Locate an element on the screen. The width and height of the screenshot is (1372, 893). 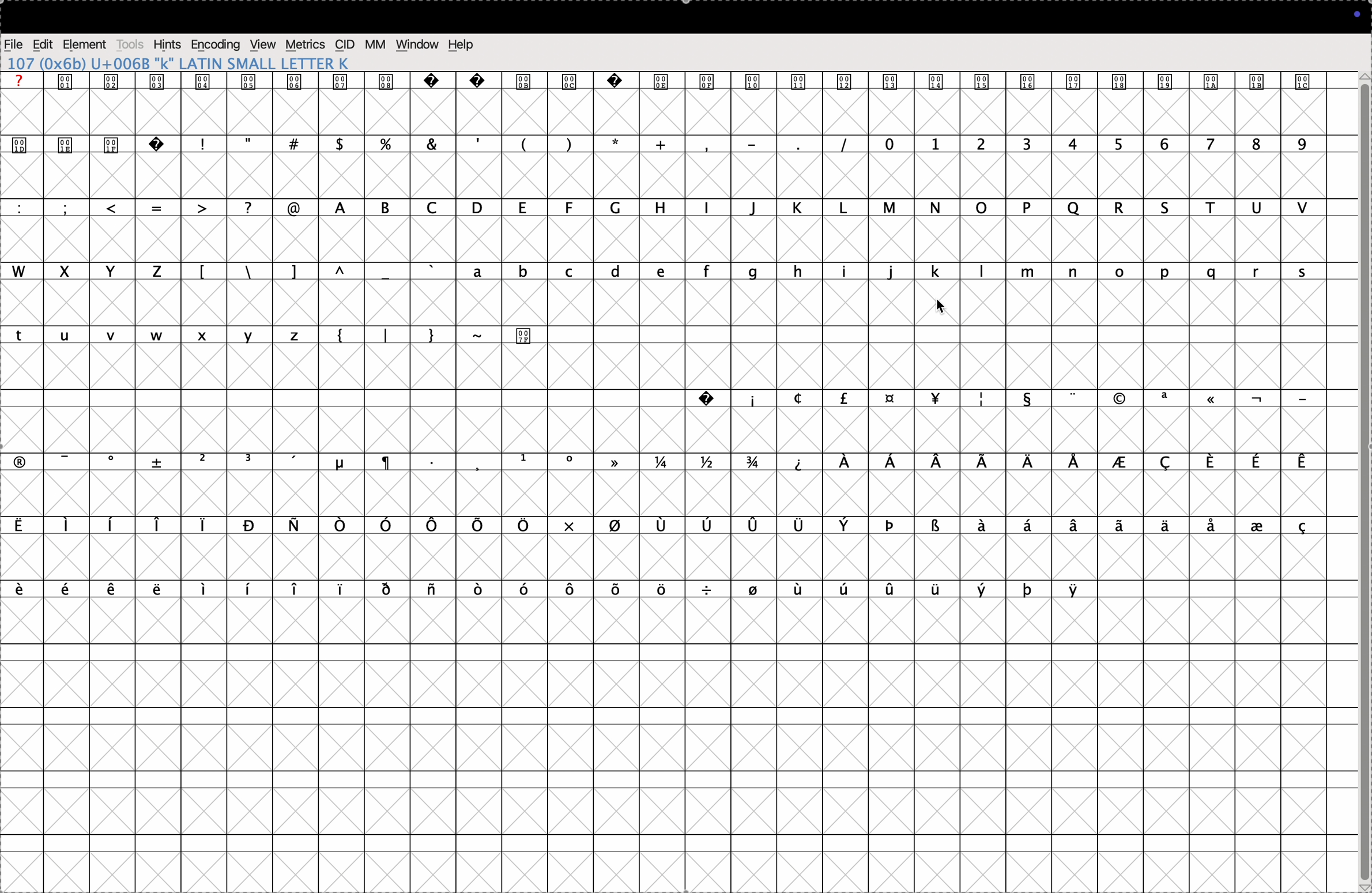
smaall letter latin  is located at coordinates (189, 64).